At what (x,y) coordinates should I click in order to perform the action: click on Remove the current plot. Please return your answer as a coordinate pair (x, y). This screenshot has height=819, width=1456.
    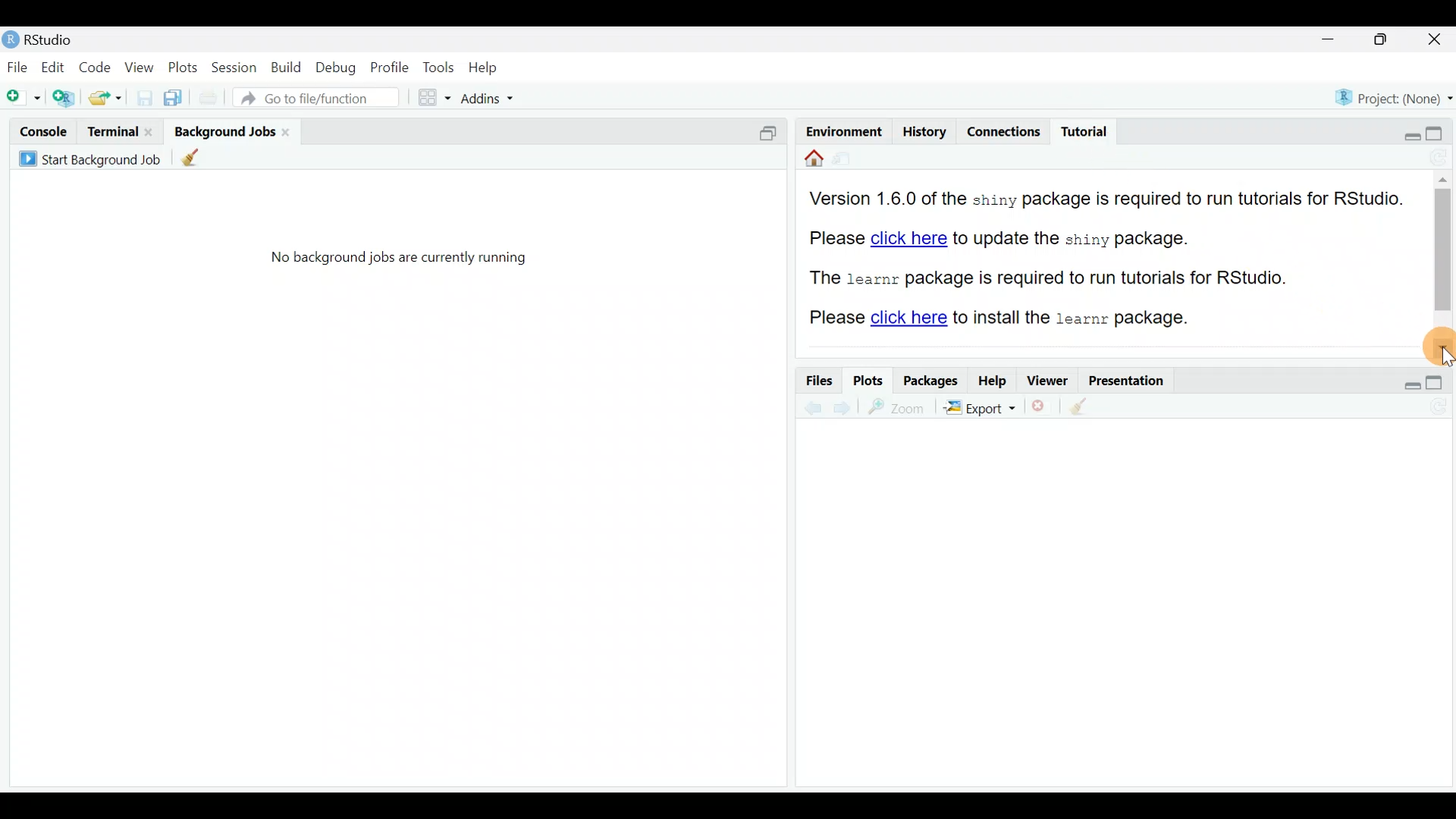
    Looking at the image, I should click on (1042, 406).